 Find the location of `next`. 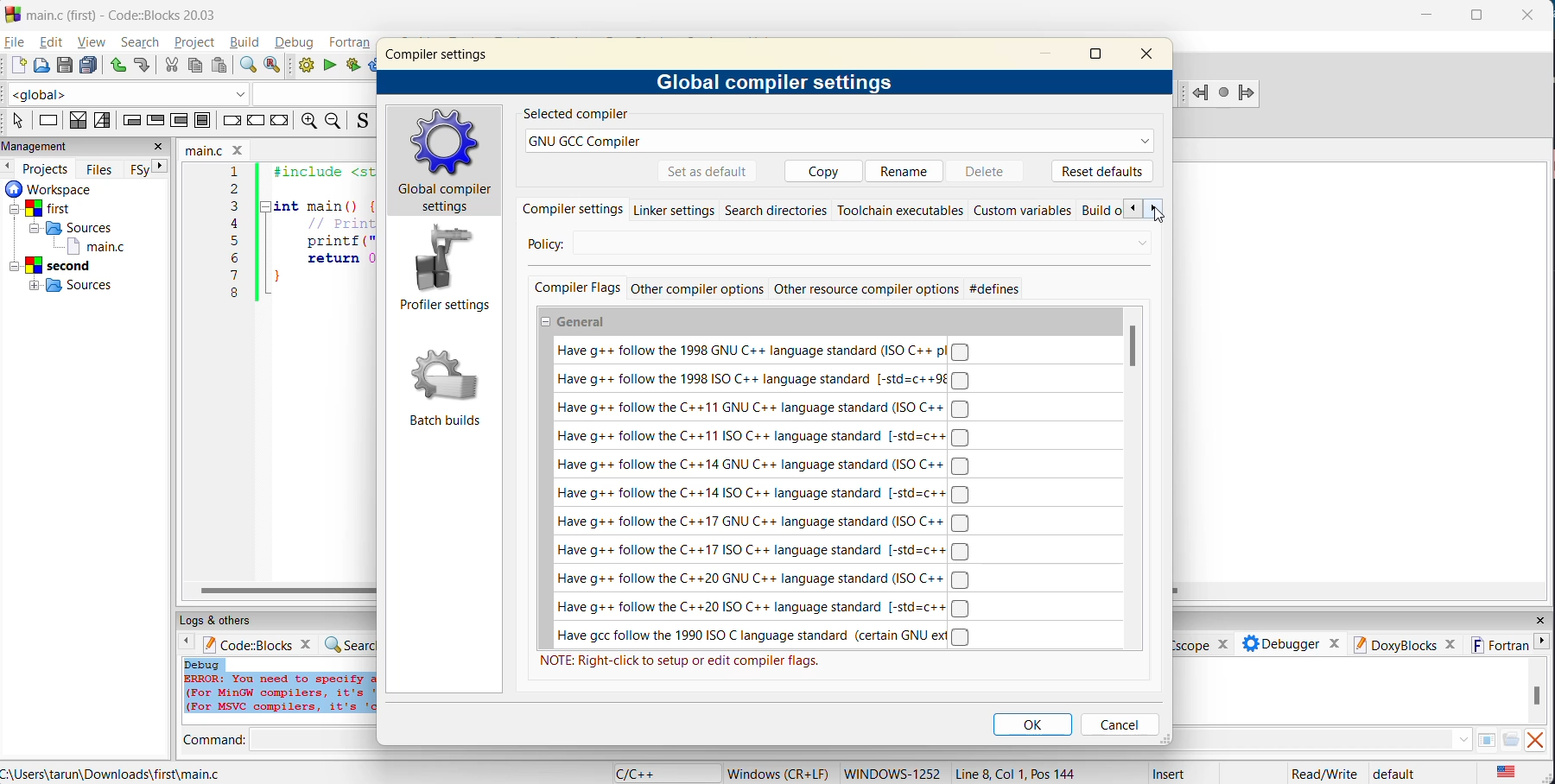

next is located at coordinates (155, 168).